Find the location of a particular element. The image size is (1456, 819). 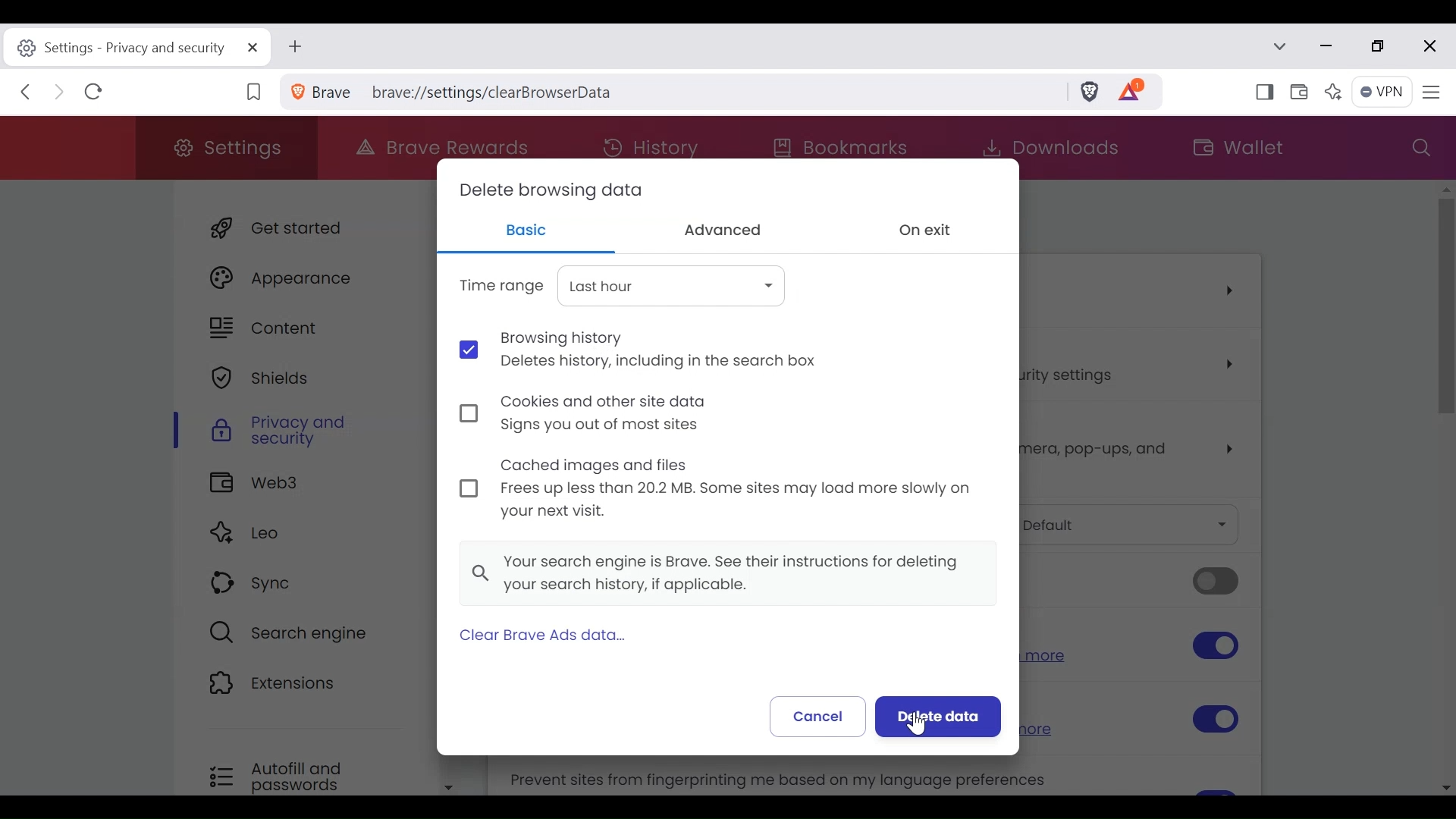

Cookies and other site data
Signs you out of most sites is located at coordinates (585, 413).